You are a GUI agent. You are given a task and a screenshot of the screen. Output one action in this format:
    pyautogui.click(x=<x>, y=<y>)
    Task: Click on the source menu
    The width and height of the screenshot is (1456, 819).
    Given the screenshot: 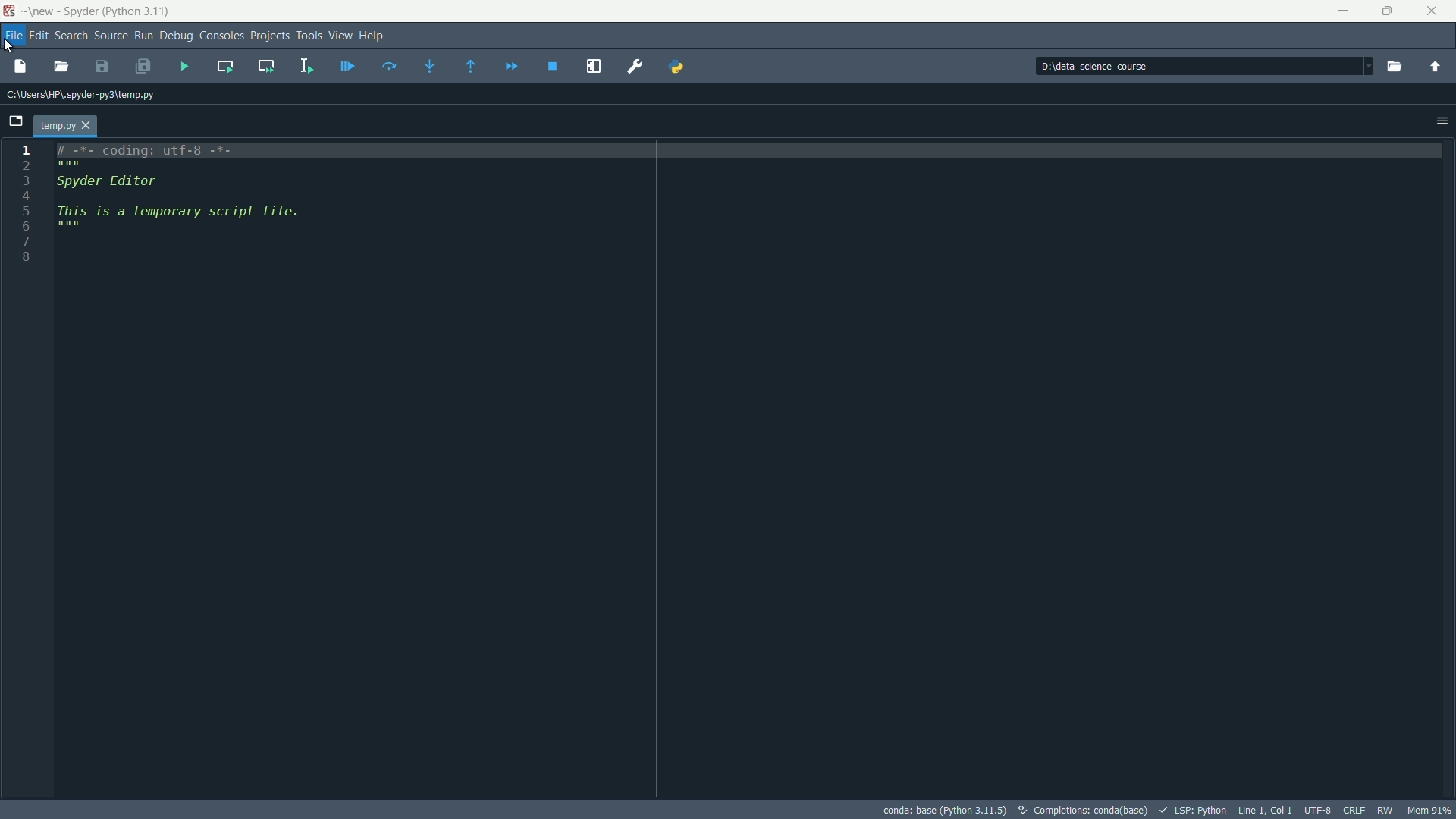 What is the action you would take?
    pyautogui.click(x=111, y=35)
    